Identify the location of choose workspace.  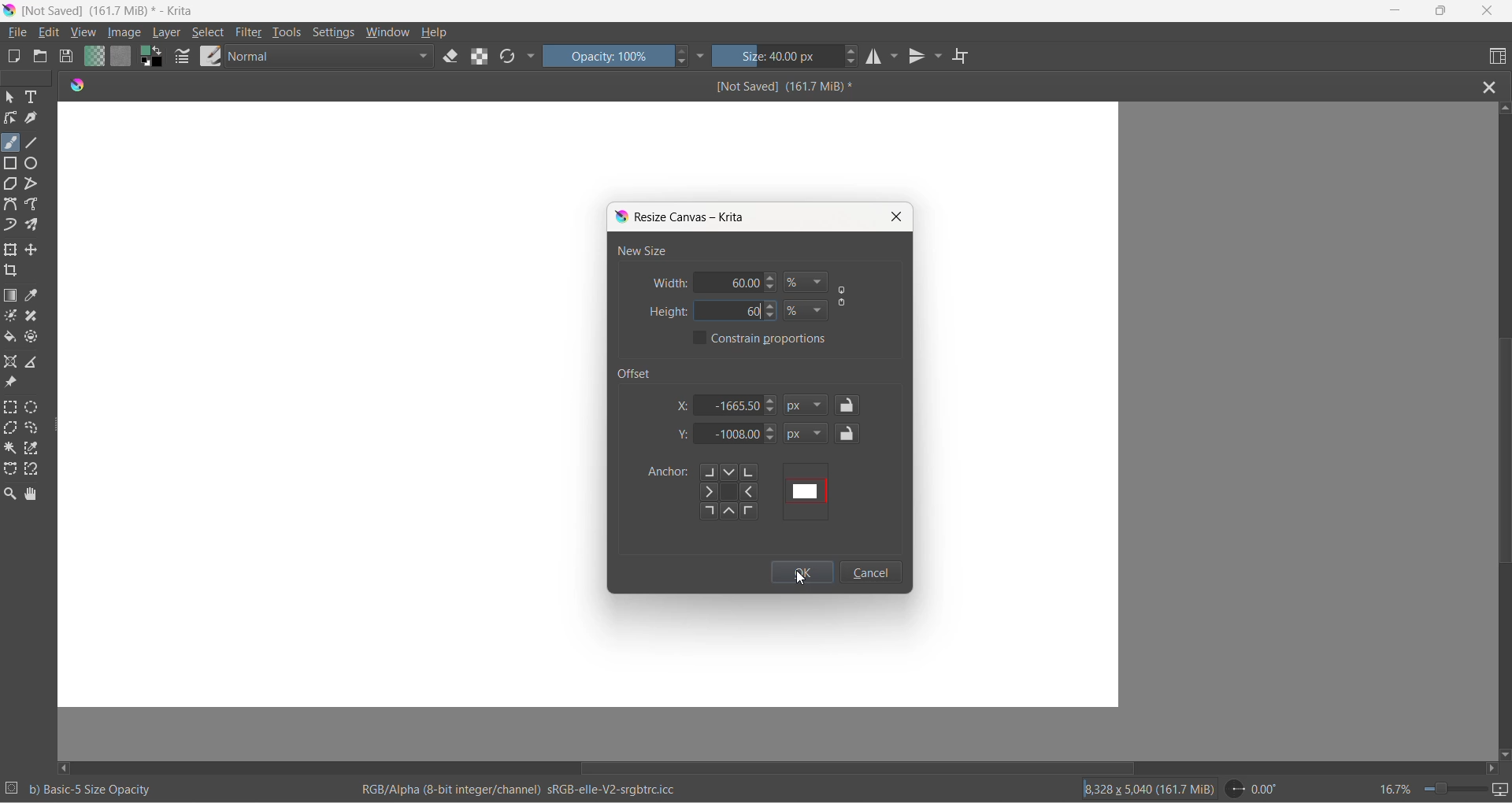
(1495, 57).